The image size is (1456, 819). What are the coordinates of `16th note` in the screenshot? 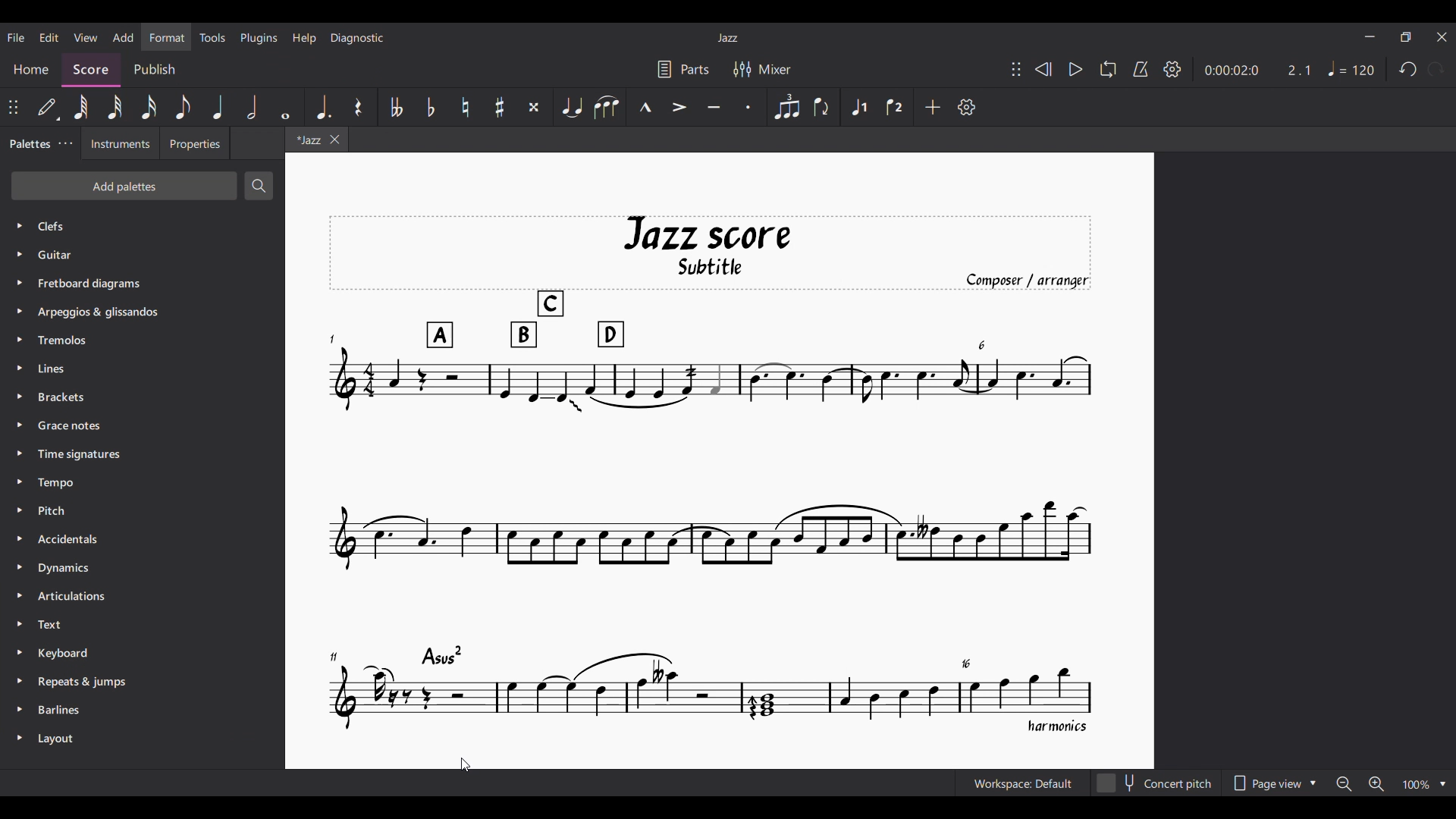 It's located at (149, 106).